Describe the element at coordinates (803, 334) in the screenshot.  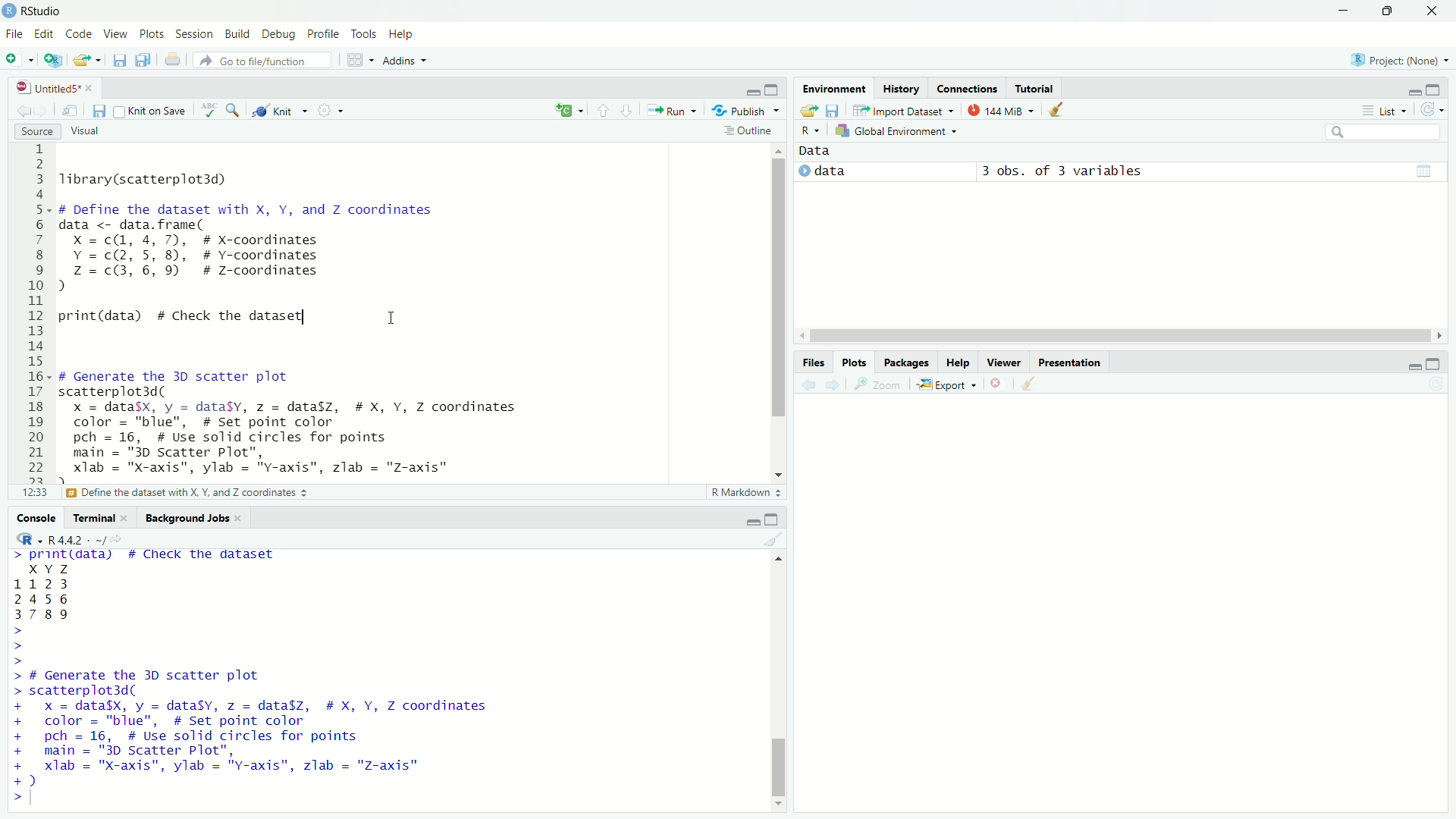
I see `move left` at that location.